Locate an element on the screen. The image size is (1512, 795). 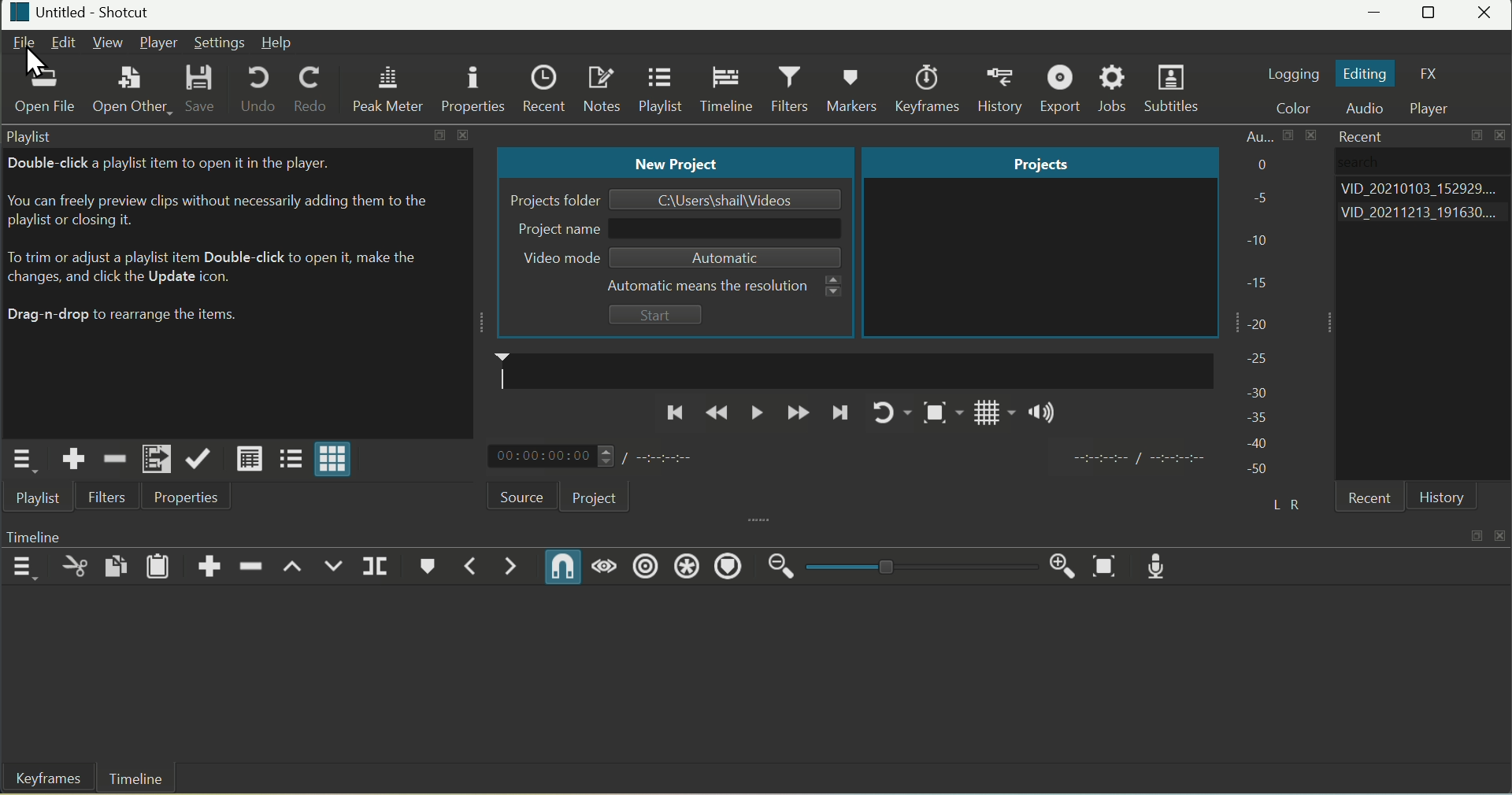
Playlist is located at coordinates (660, 91).